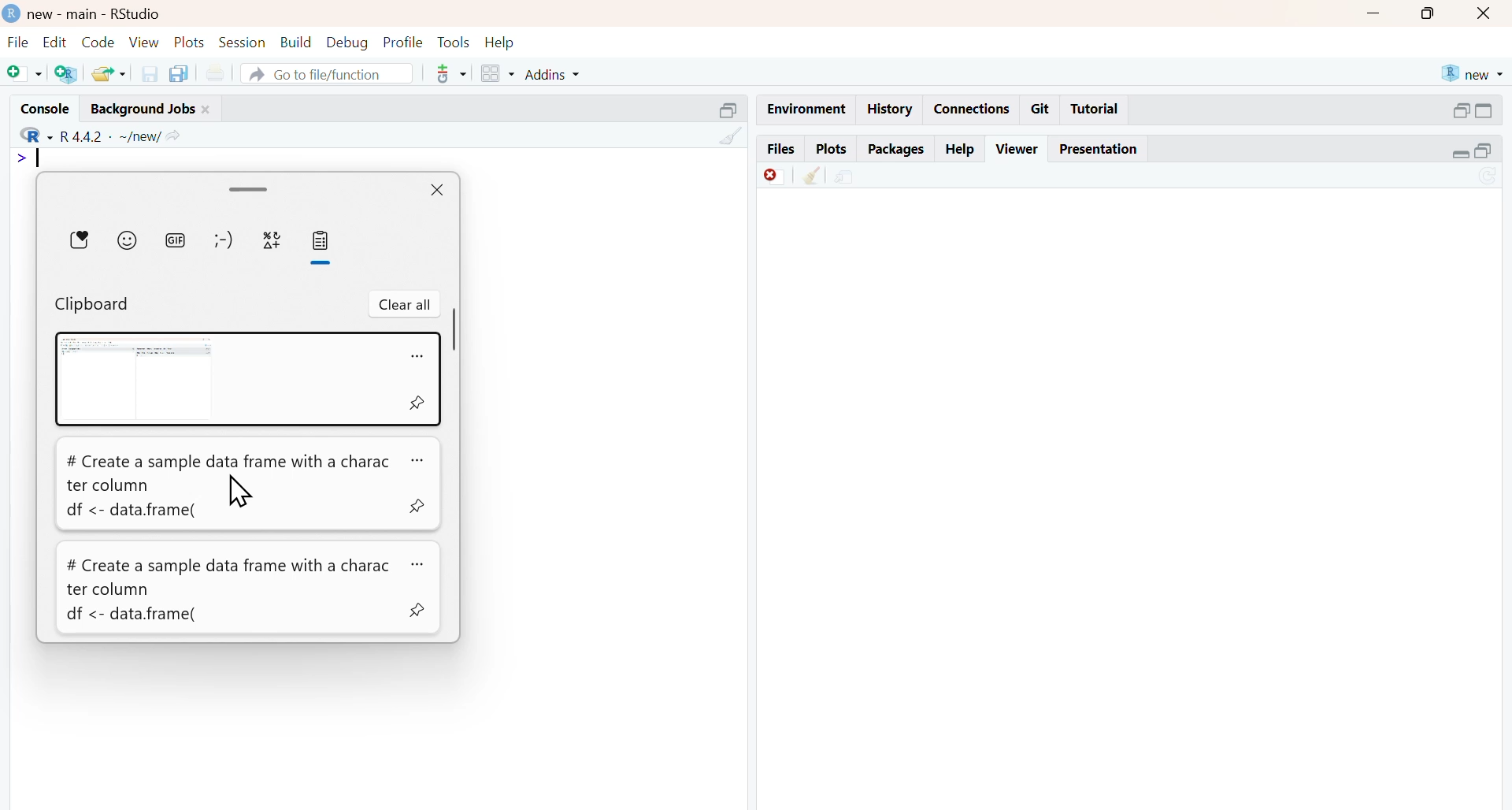  Describe the element at coordinates (1373, 12) in the screenshot. I see `Minimise` at that location.